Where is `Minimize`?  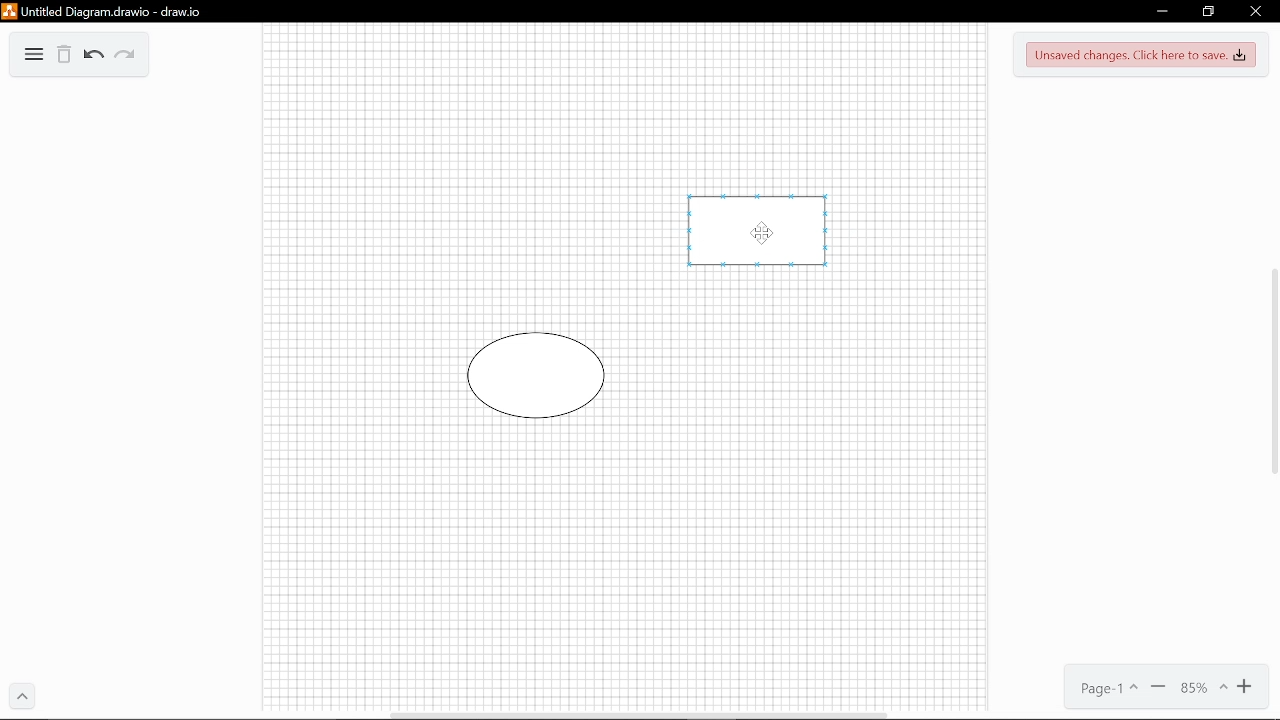
Minimize is located at coordinates (1159, 13).